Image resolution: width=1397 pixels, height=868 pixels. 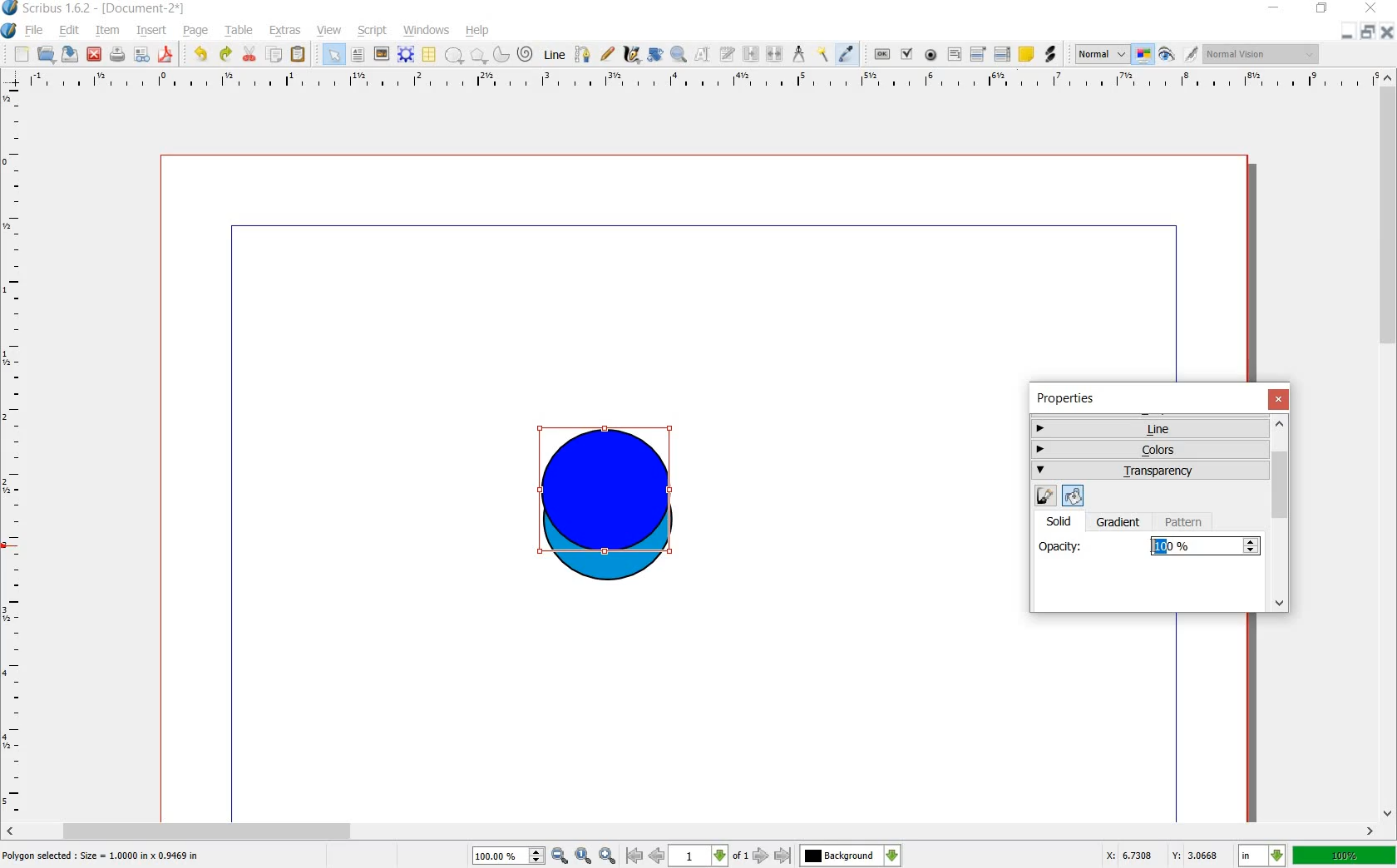 What do you see at coordinates (1143, 54) in the screenshot?
I see `toggle color management system` at bounding box center [1143, 54].